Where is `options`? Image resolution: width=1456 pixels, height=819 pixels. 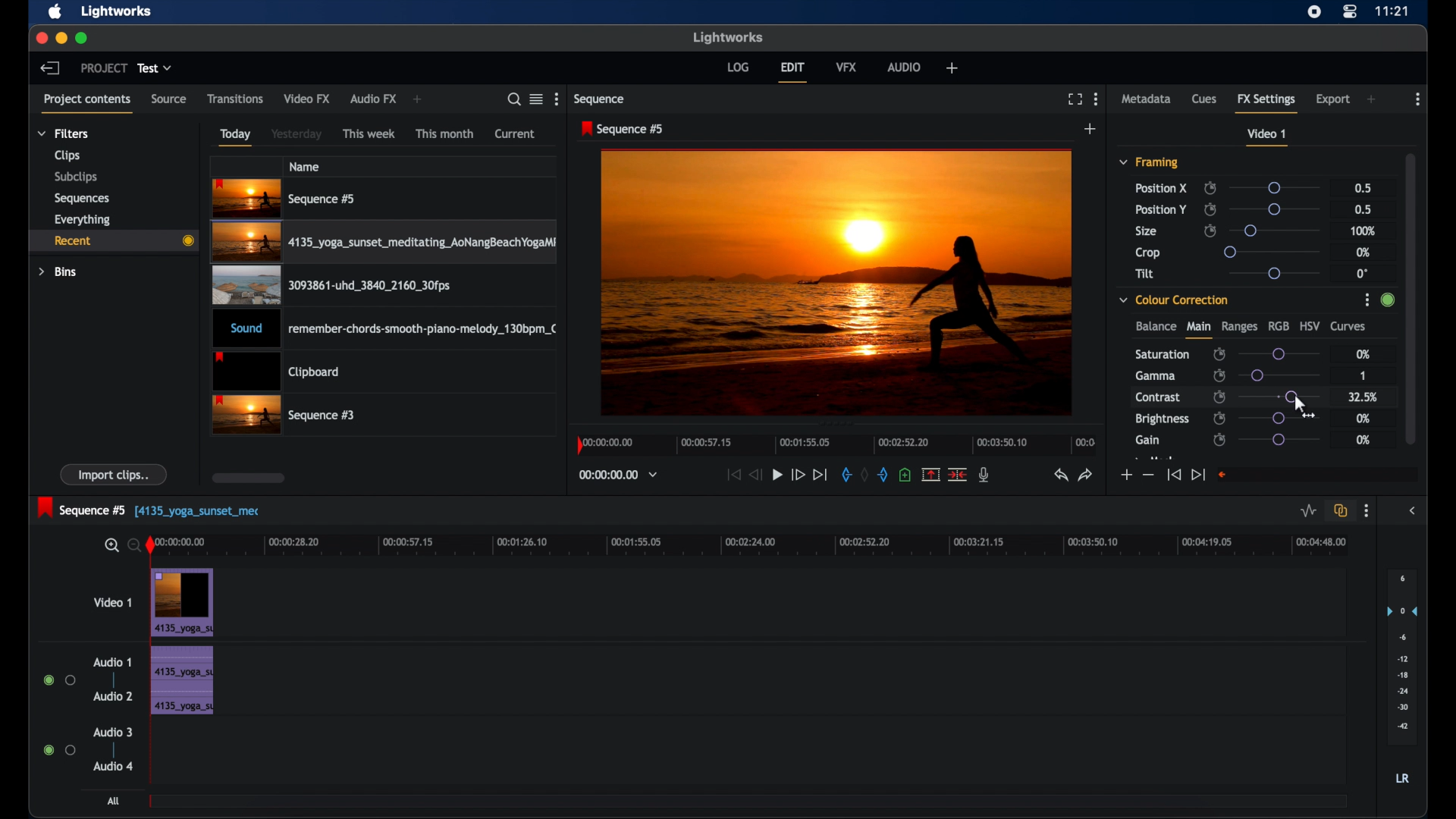
options is located at coordinates (1362, 302).